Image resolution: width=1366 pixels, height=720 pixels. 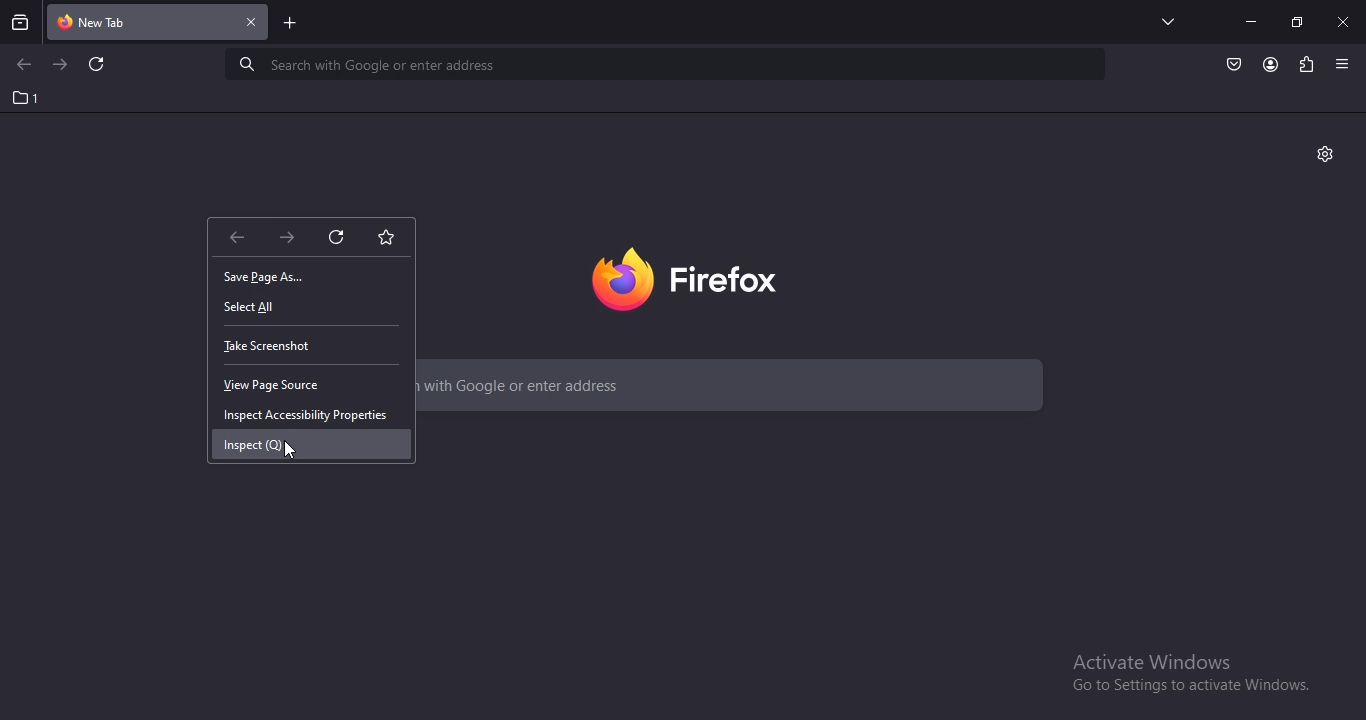 What do you see at coordinates (285, 236) in the screenshot?
I see `go forward one page` at bounding box center [285, 236].